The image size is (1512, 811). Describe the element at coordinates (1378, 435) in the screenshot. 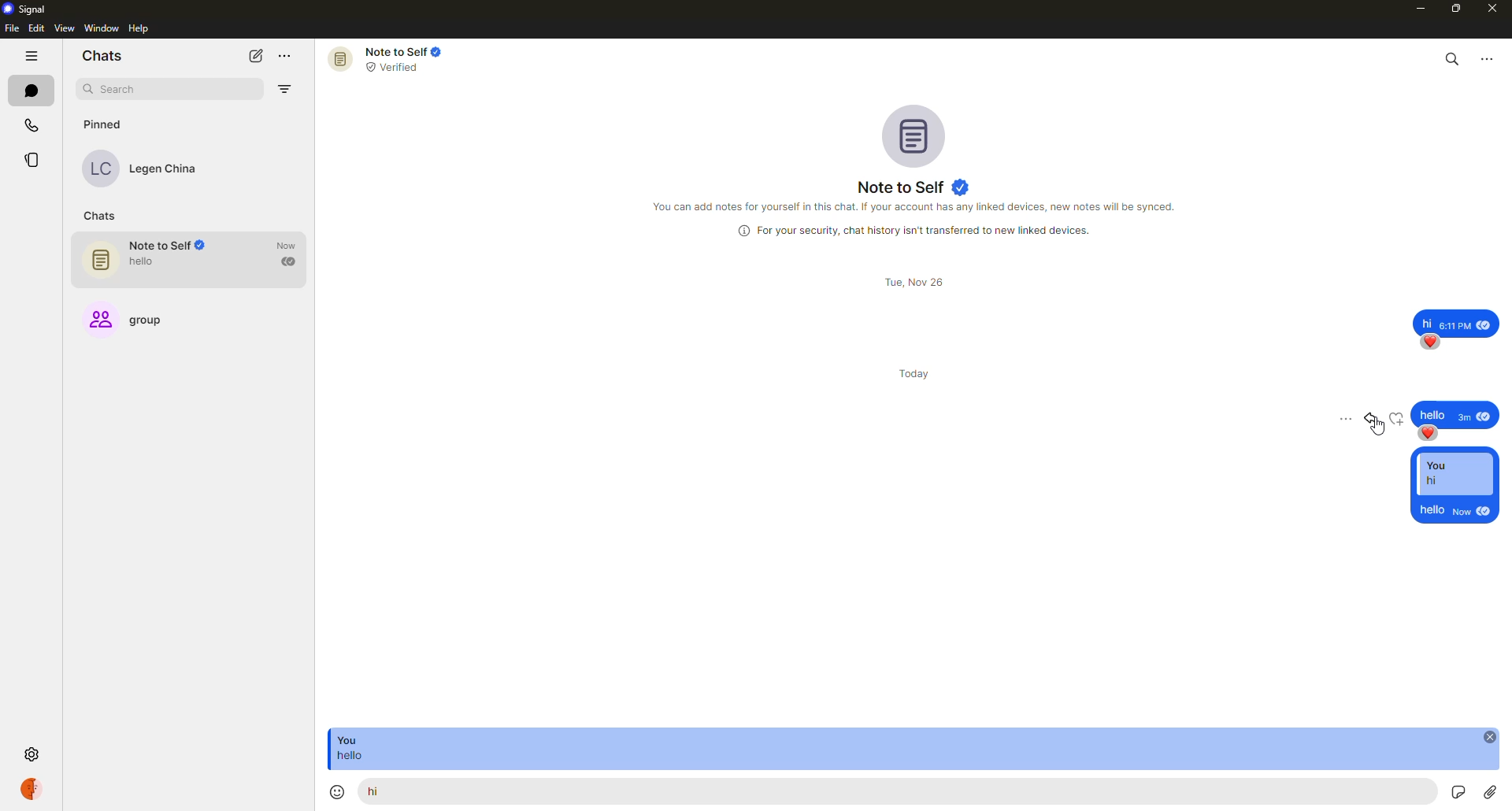

I see `cursor` at that location.